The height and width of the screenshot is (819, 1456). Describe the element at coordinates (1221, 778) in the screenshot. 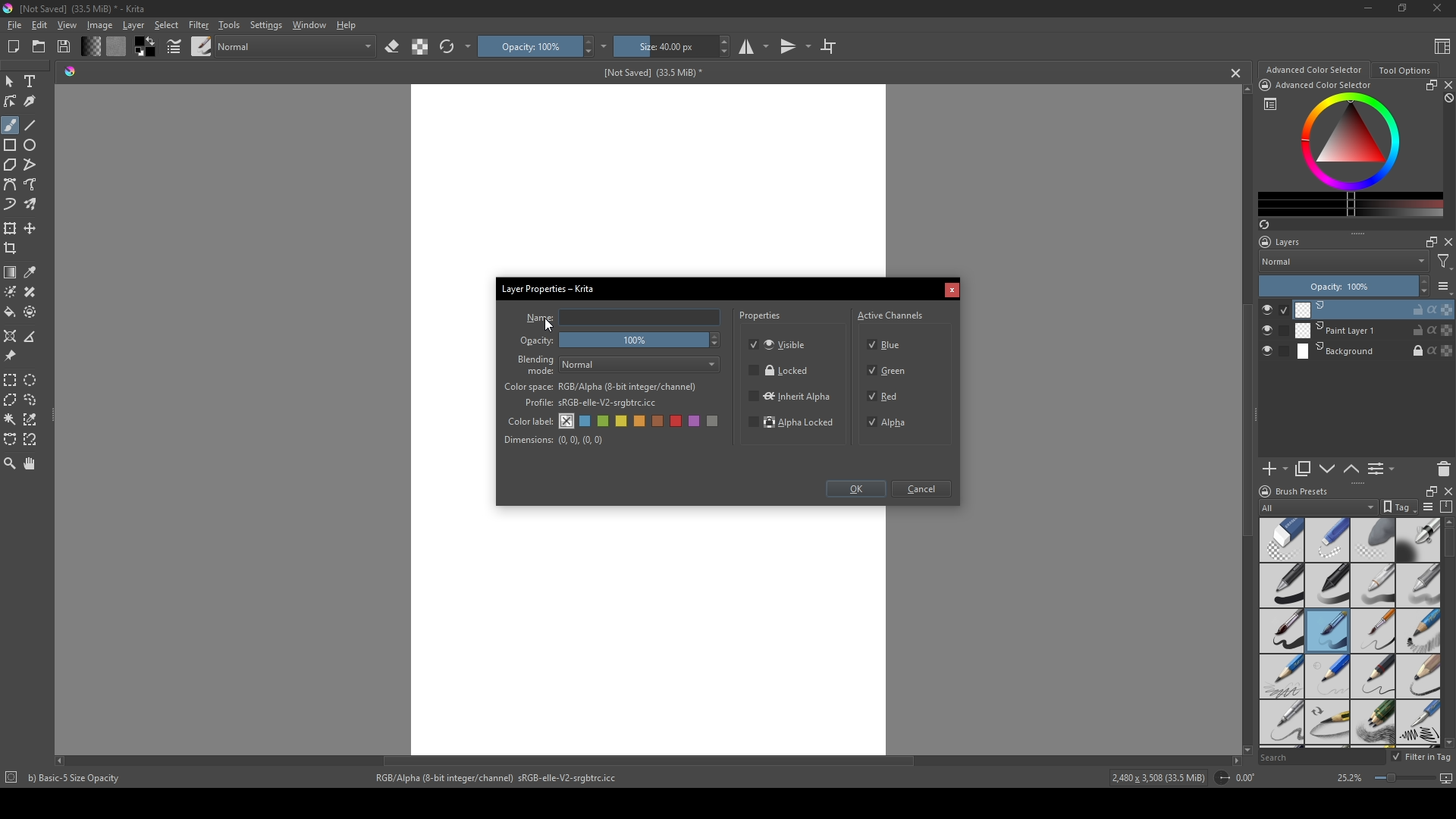

I see `icon` at that location.